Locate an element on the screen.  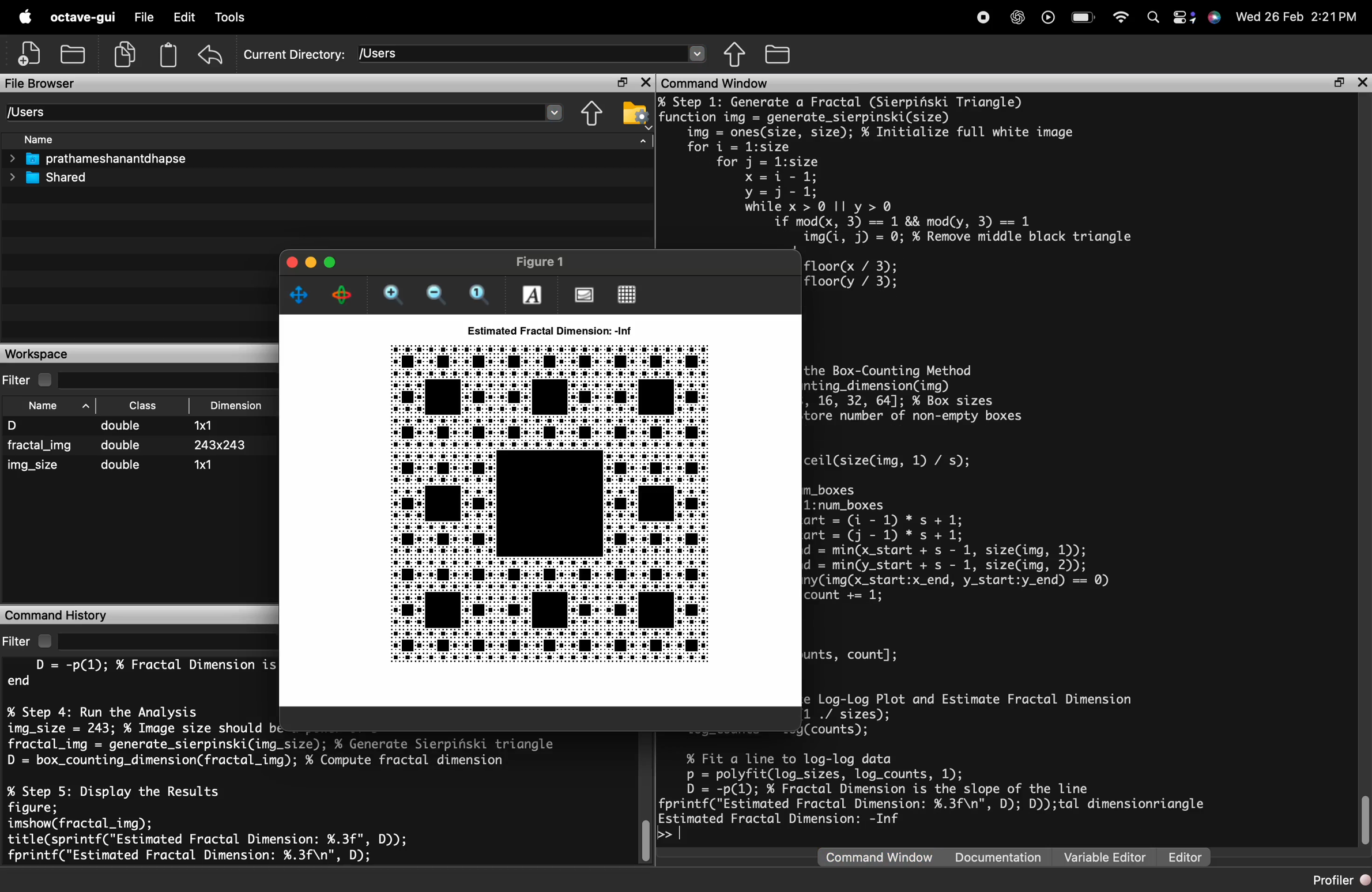
maximize is located at coordinates (314, 264).